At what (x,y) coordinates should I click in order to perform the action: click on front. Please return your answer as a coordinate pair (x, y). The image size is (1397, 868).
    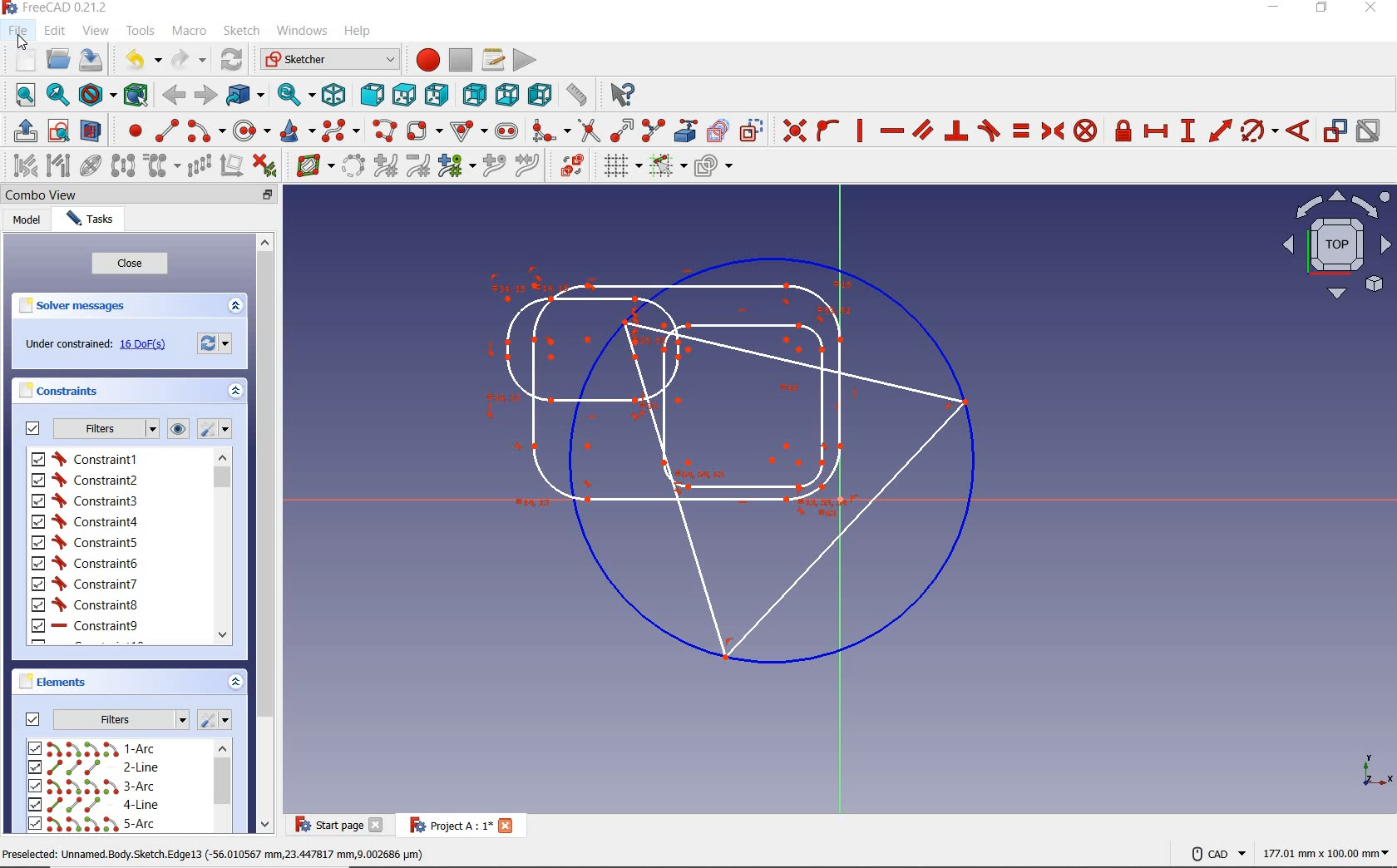
    Looking at the image, I should click on (369, 93).